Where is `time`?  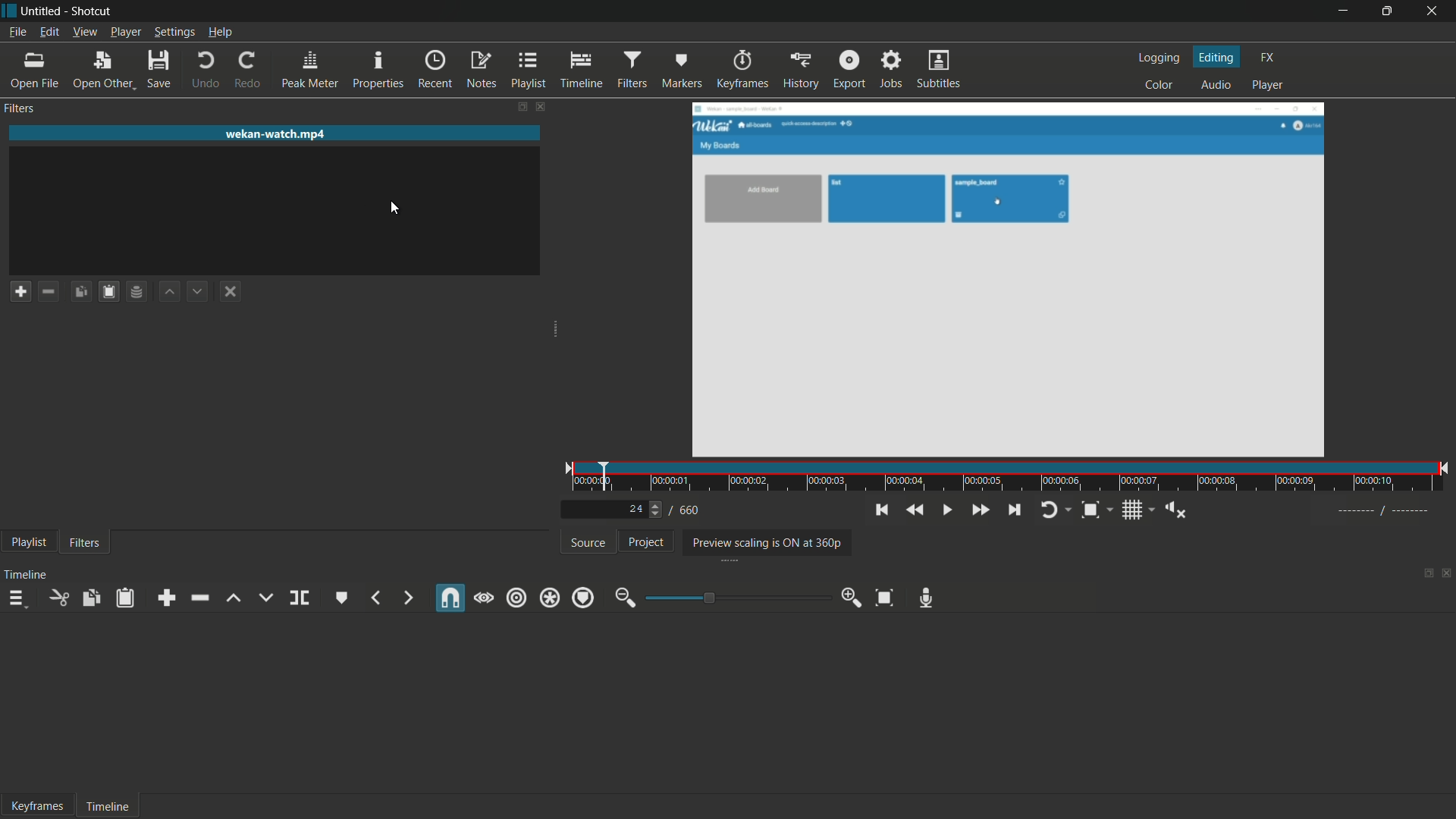
time is located at coordinates (1012, 479).